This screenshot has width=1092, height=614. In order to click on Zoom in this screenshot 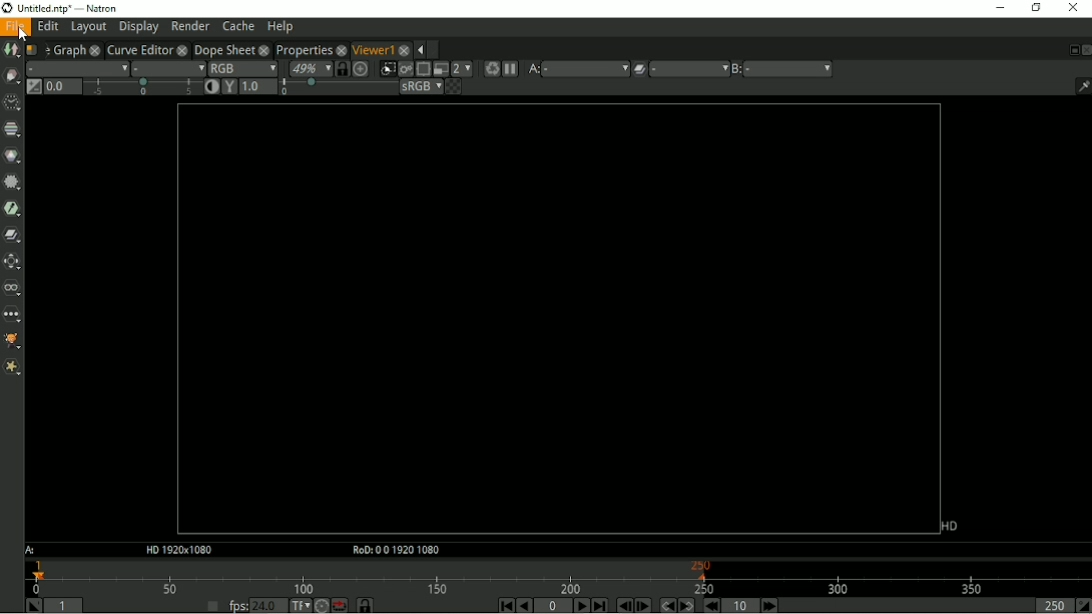, I will do `click(309, 68)`.